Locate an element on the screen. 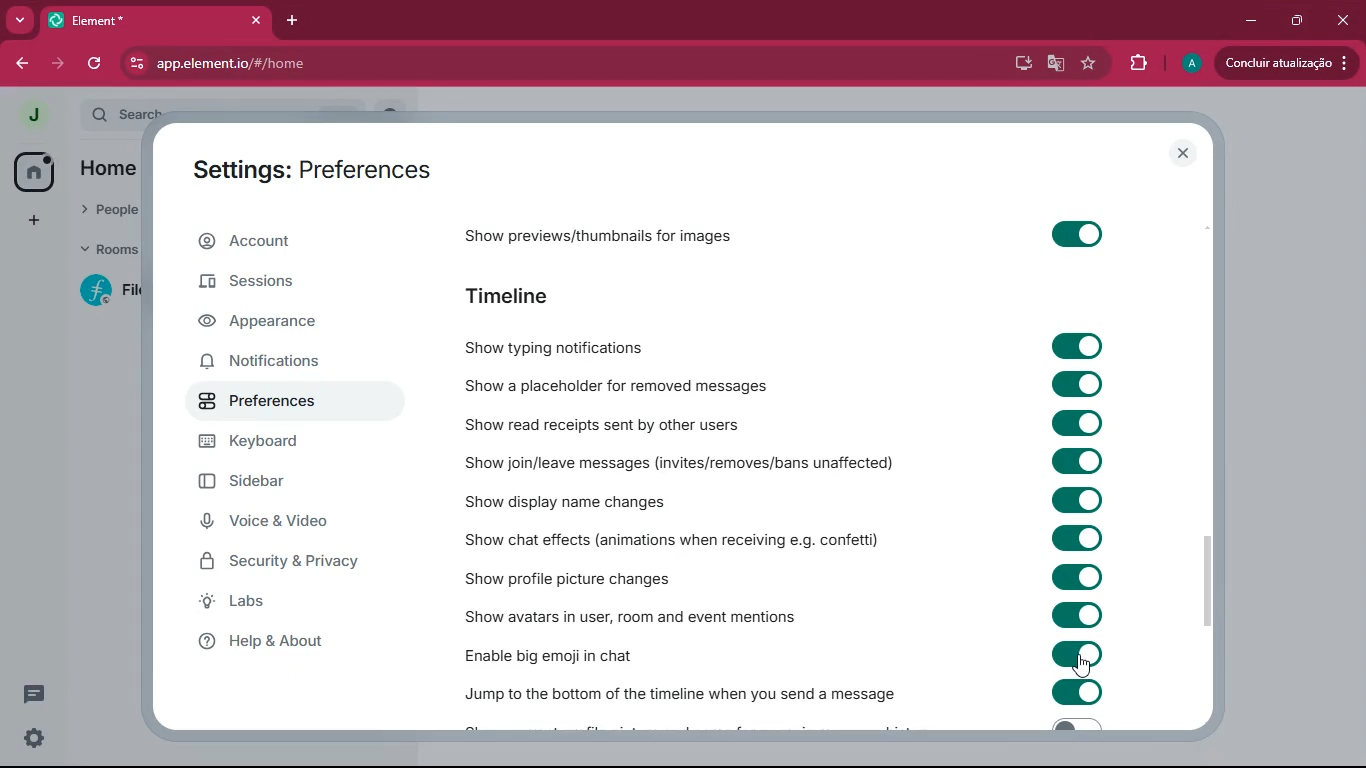  toggle on  is located at coordinates (1078, 537).